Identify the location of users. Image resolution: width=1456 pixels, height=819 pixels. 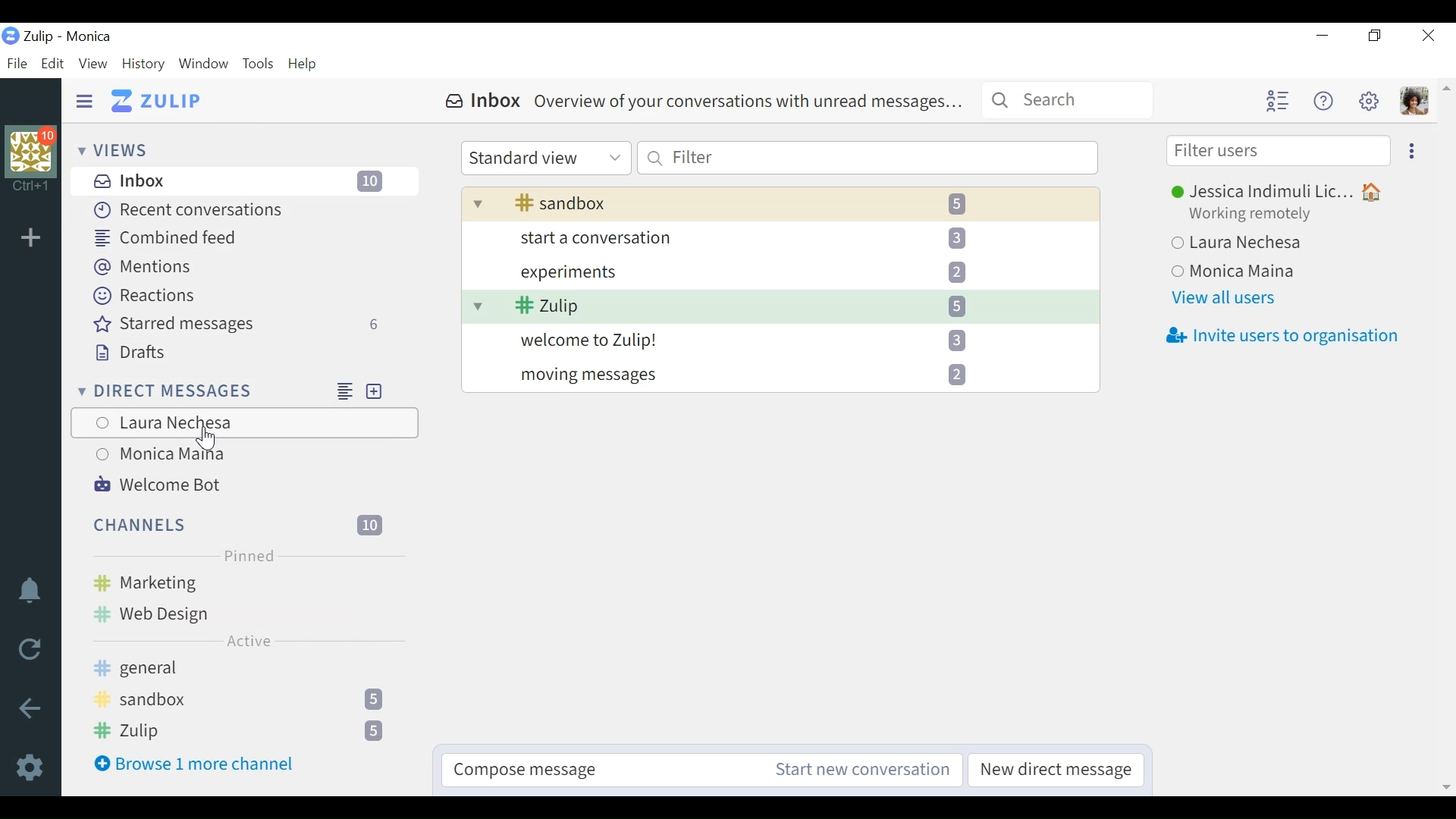
(240, 438).